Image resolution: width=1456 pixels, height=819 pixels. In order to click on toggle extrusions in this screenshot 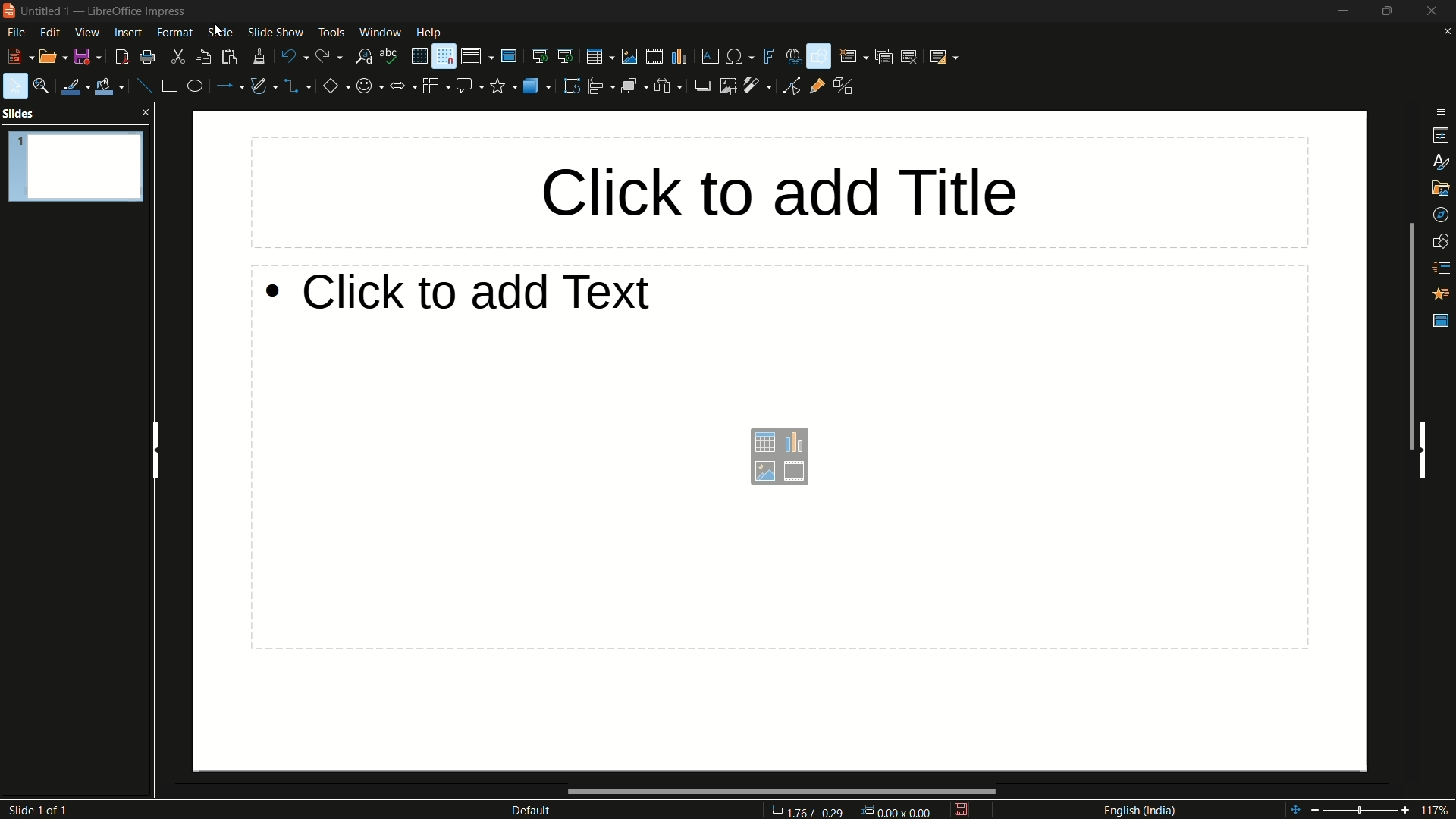, I will do `click(847, 87)`.